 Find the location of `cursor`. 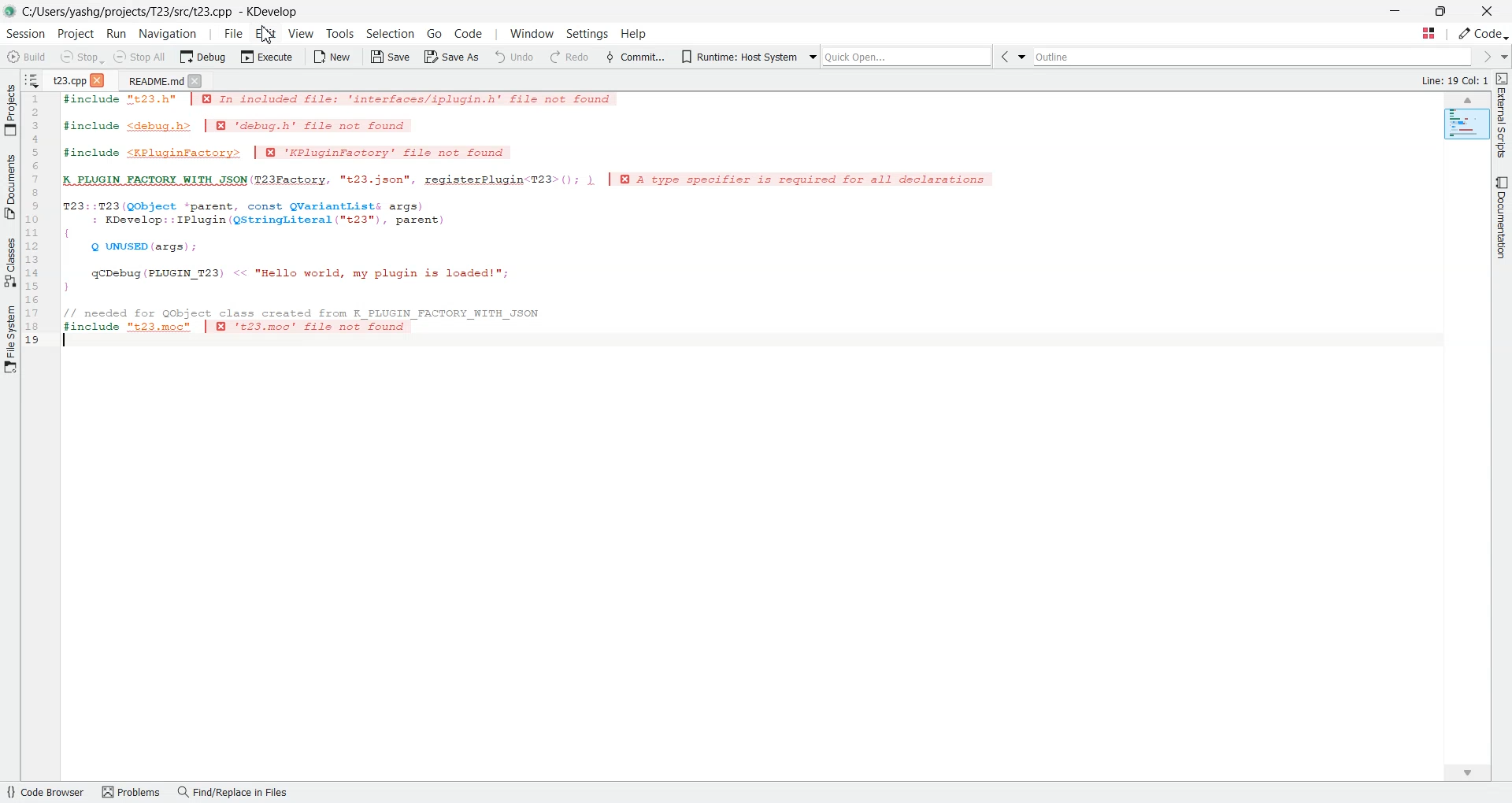

cursor is located at coordinates (269, 35).